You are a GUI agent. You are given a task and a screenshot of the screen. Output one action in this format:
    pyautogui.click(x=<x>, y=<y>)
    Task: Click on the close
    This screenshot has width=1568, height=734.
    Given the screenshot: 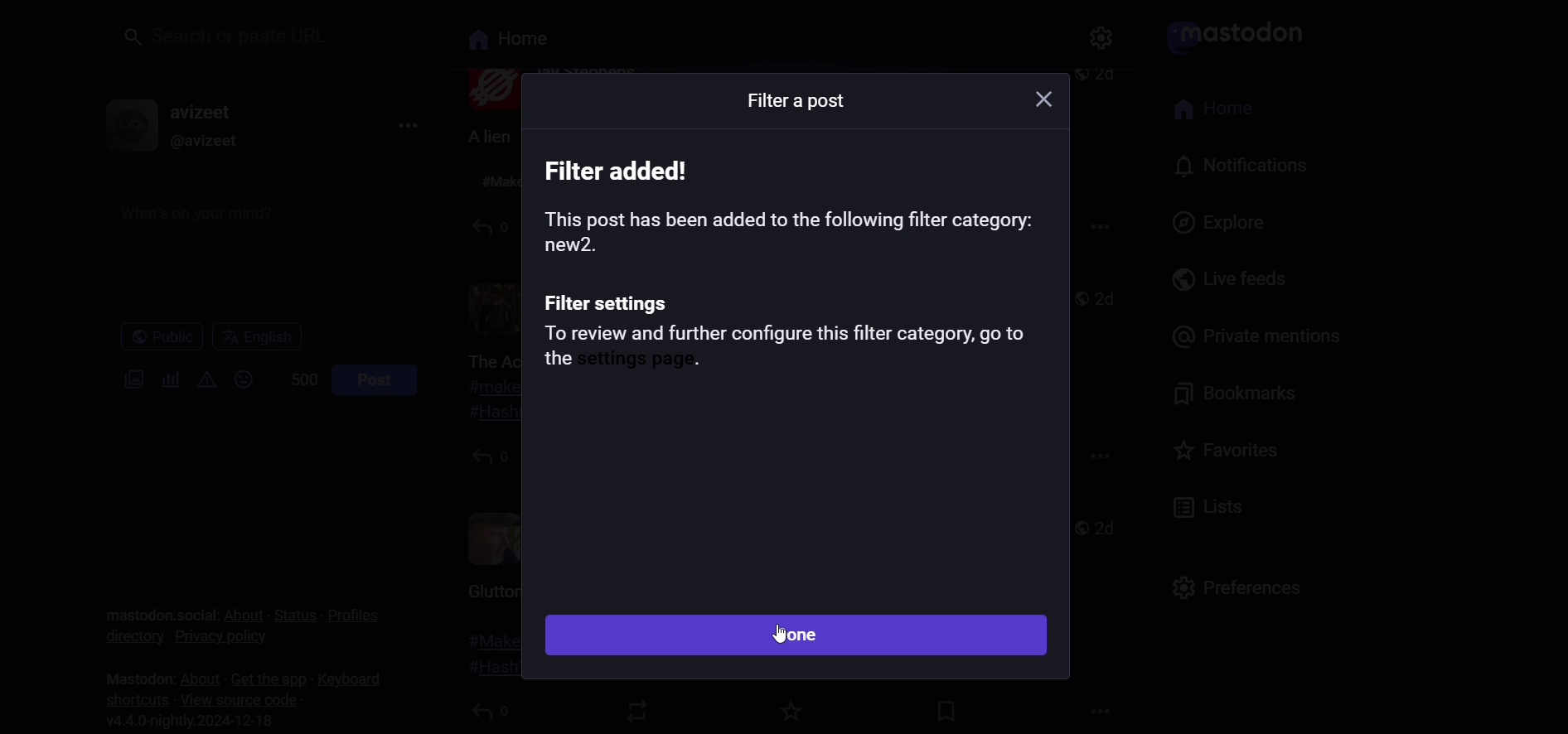 What is the action you would take?
    pyautogui.click(x=1033, y=99)
    